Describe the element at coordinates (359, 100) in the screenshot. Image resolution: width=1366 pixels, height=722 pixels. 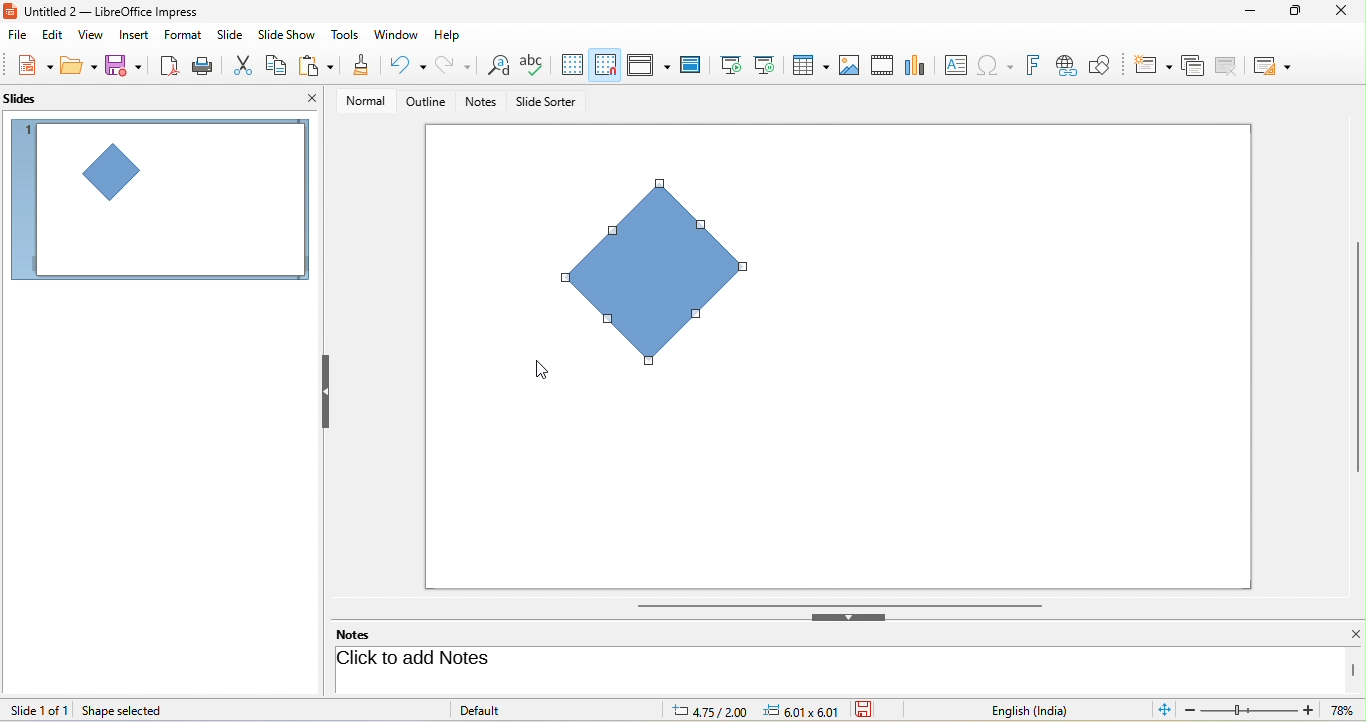
I see `normal` at that location.